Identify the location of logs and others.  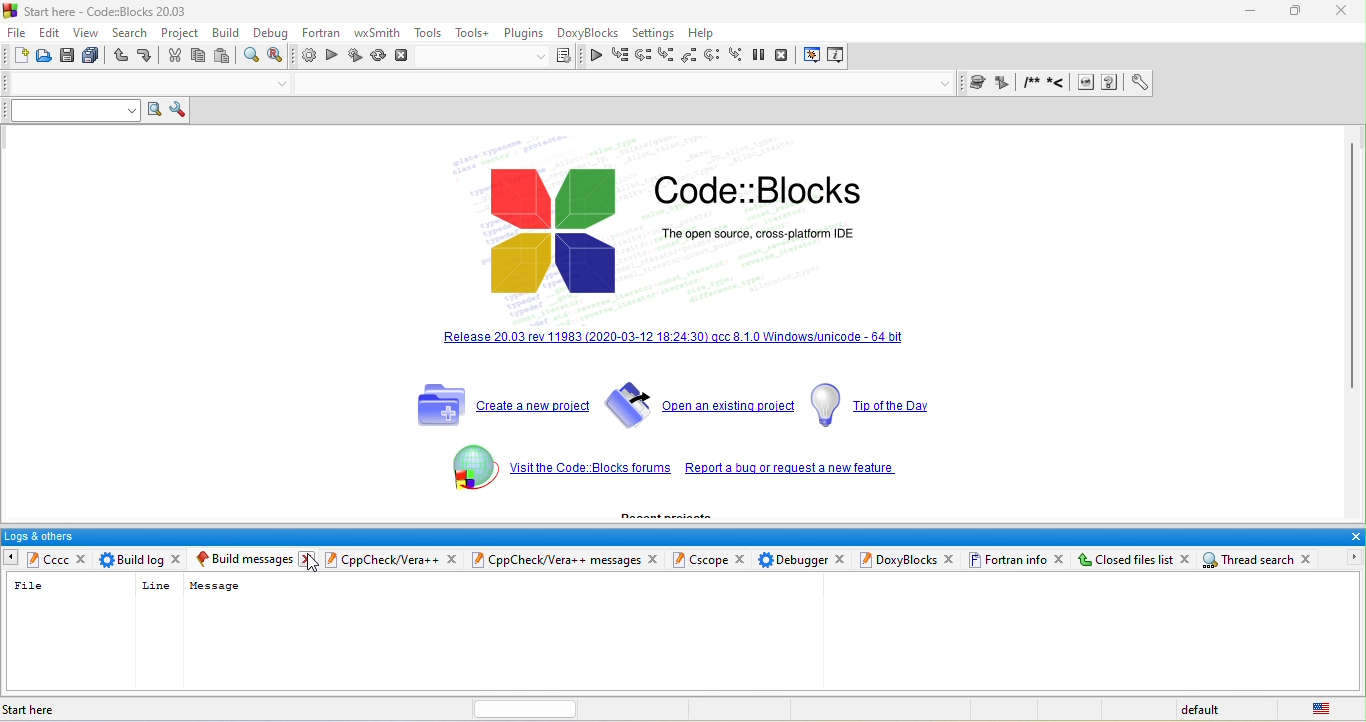
(668, 536).